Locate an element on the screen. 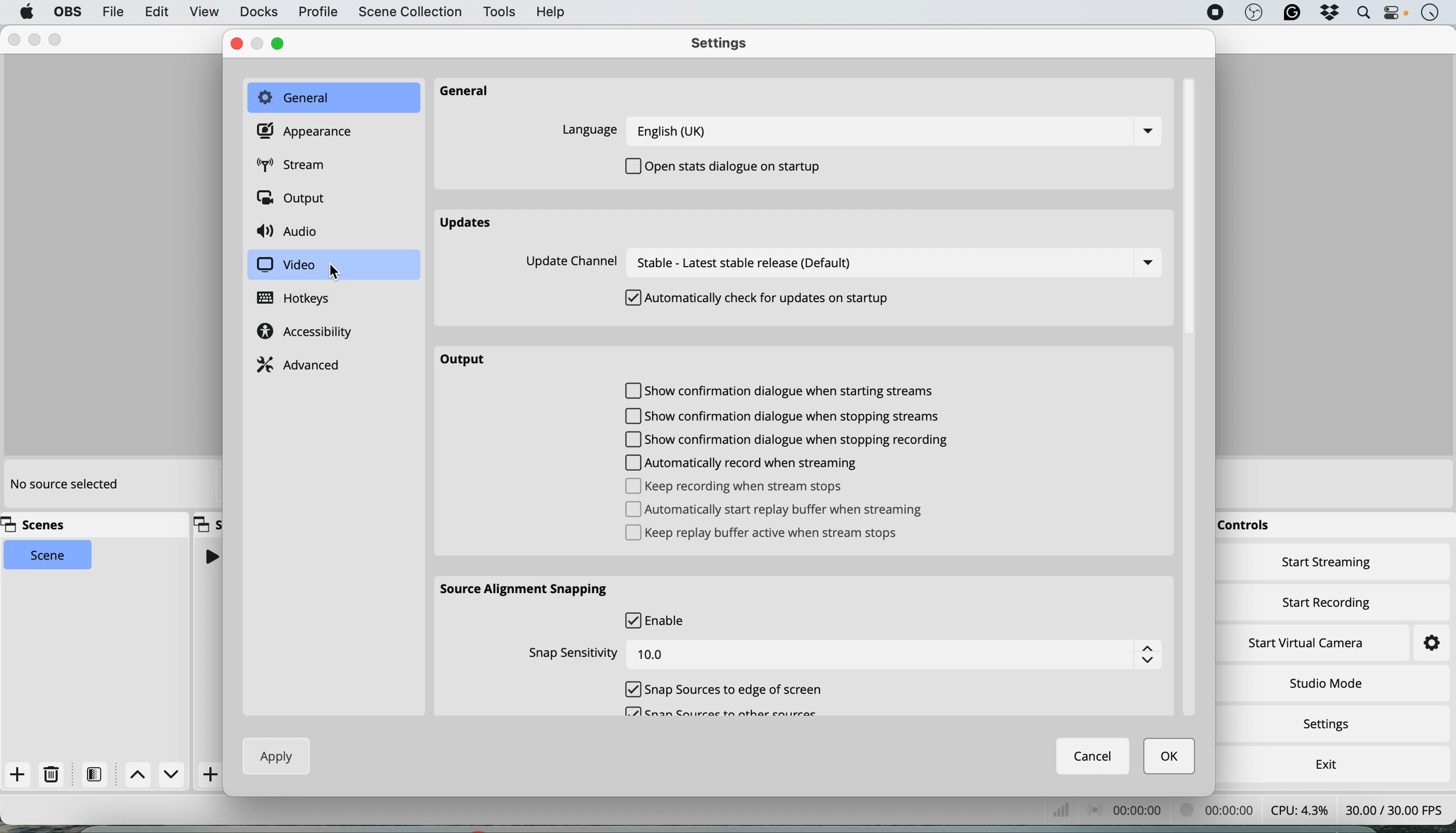 Image resolution: width=1456 pixels, height=833 pixels. show confirmation diaglour when starting streams is located at coordinates (784, 392).